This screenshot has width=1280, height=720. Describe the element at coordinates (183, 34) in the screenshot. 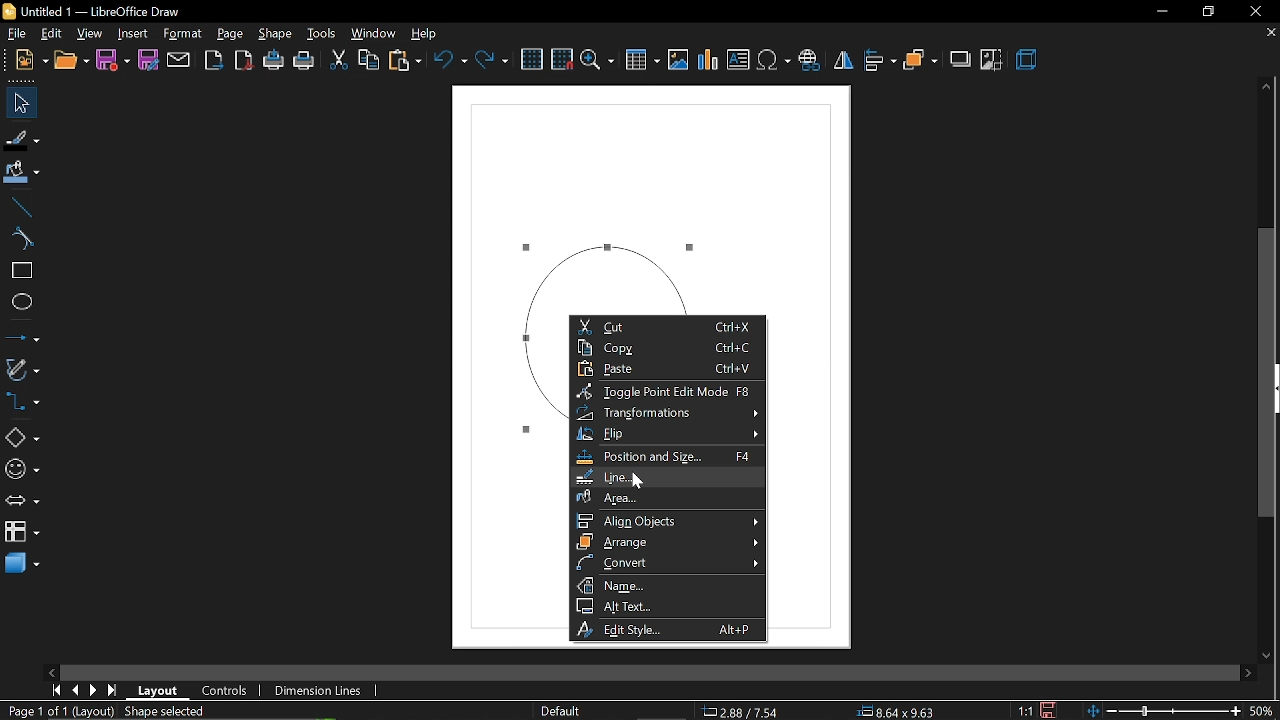

I see `format` at that location.